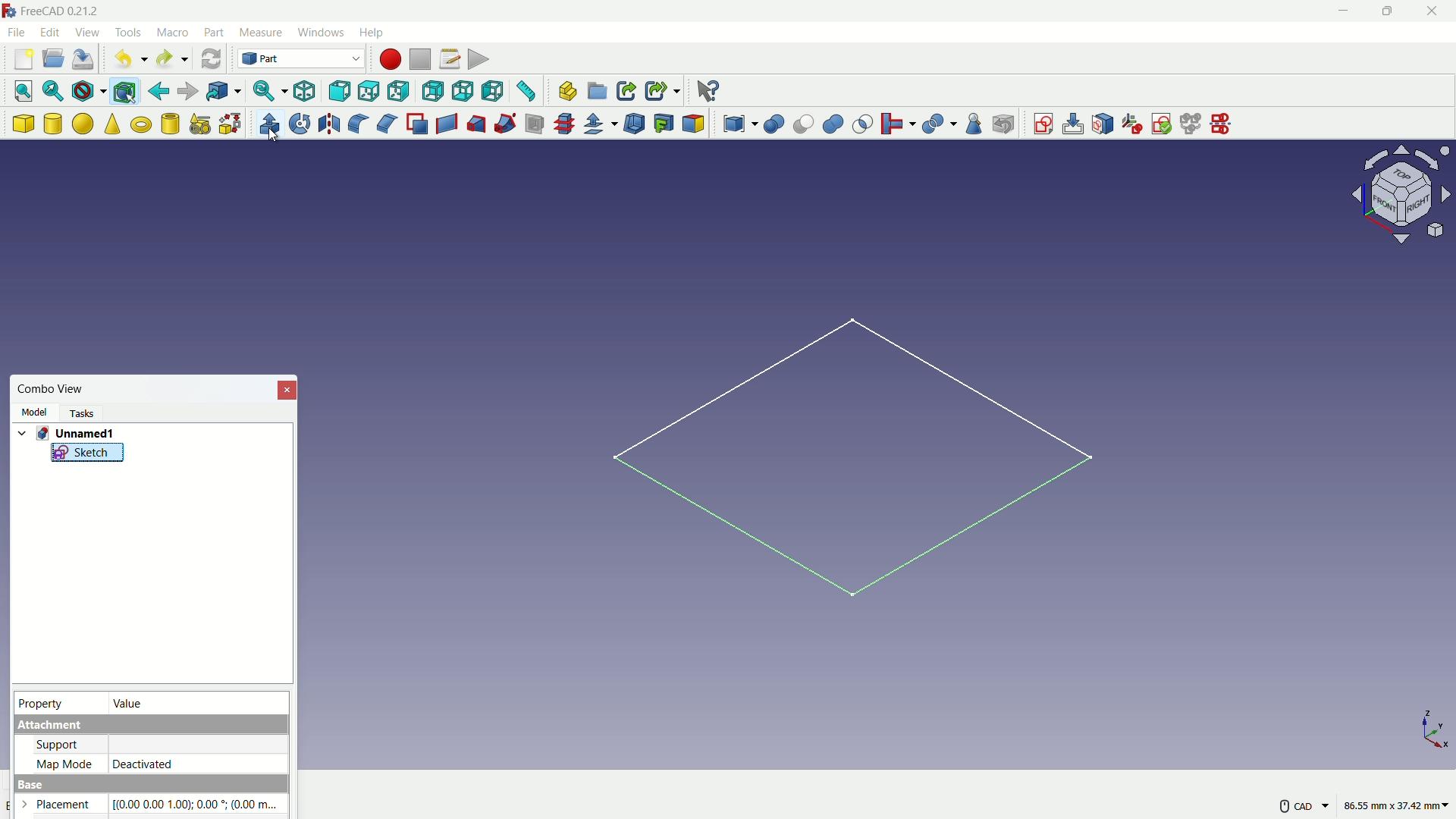 This screenshot has height=819, width=1456. I want to click on cursor, so click(272, 136).